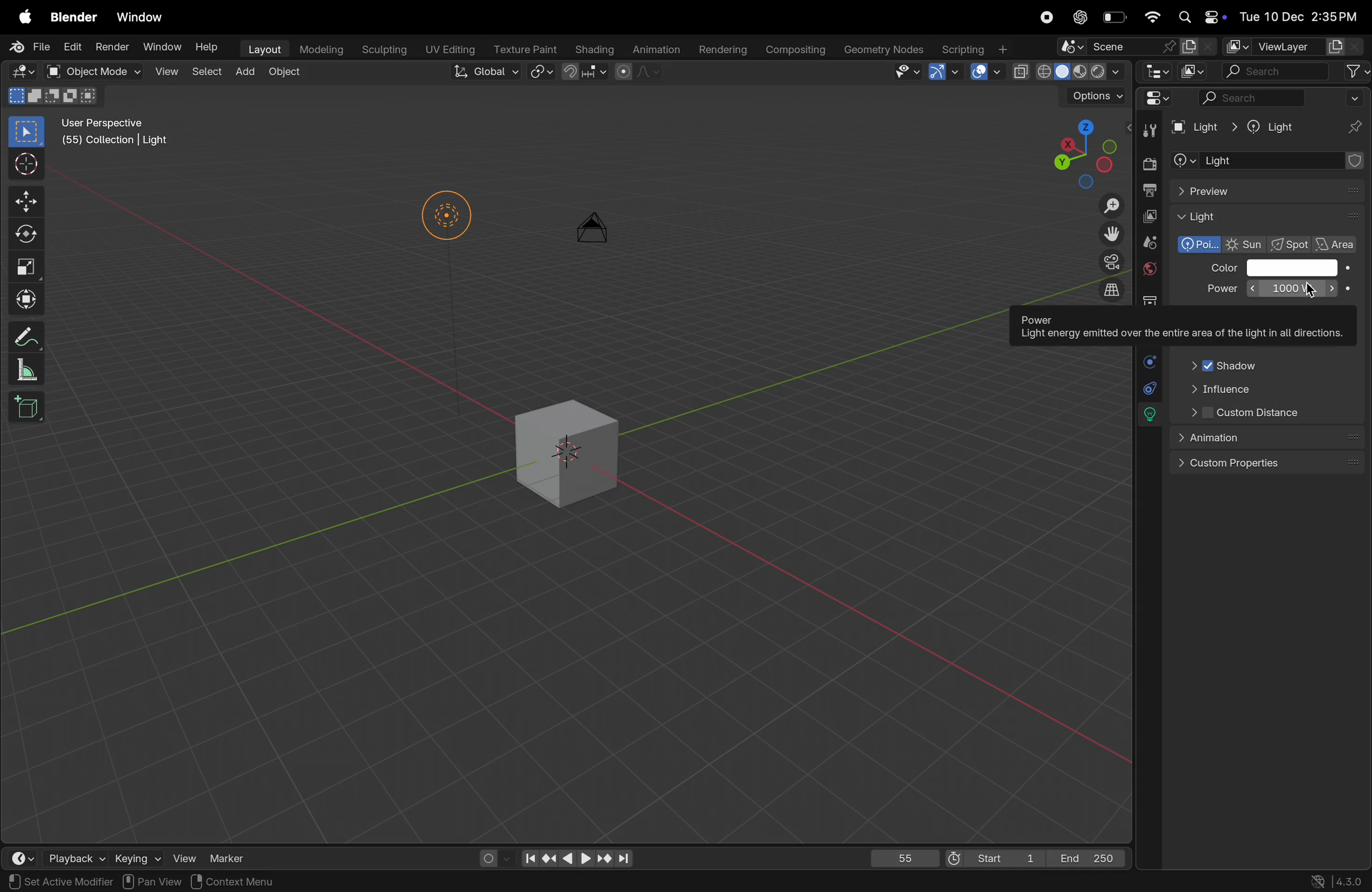 The height and width of the screenshot is (892, 1372). Describe the element at coordinates (1299, 289) in the screenshot. I see `10000` at that location.